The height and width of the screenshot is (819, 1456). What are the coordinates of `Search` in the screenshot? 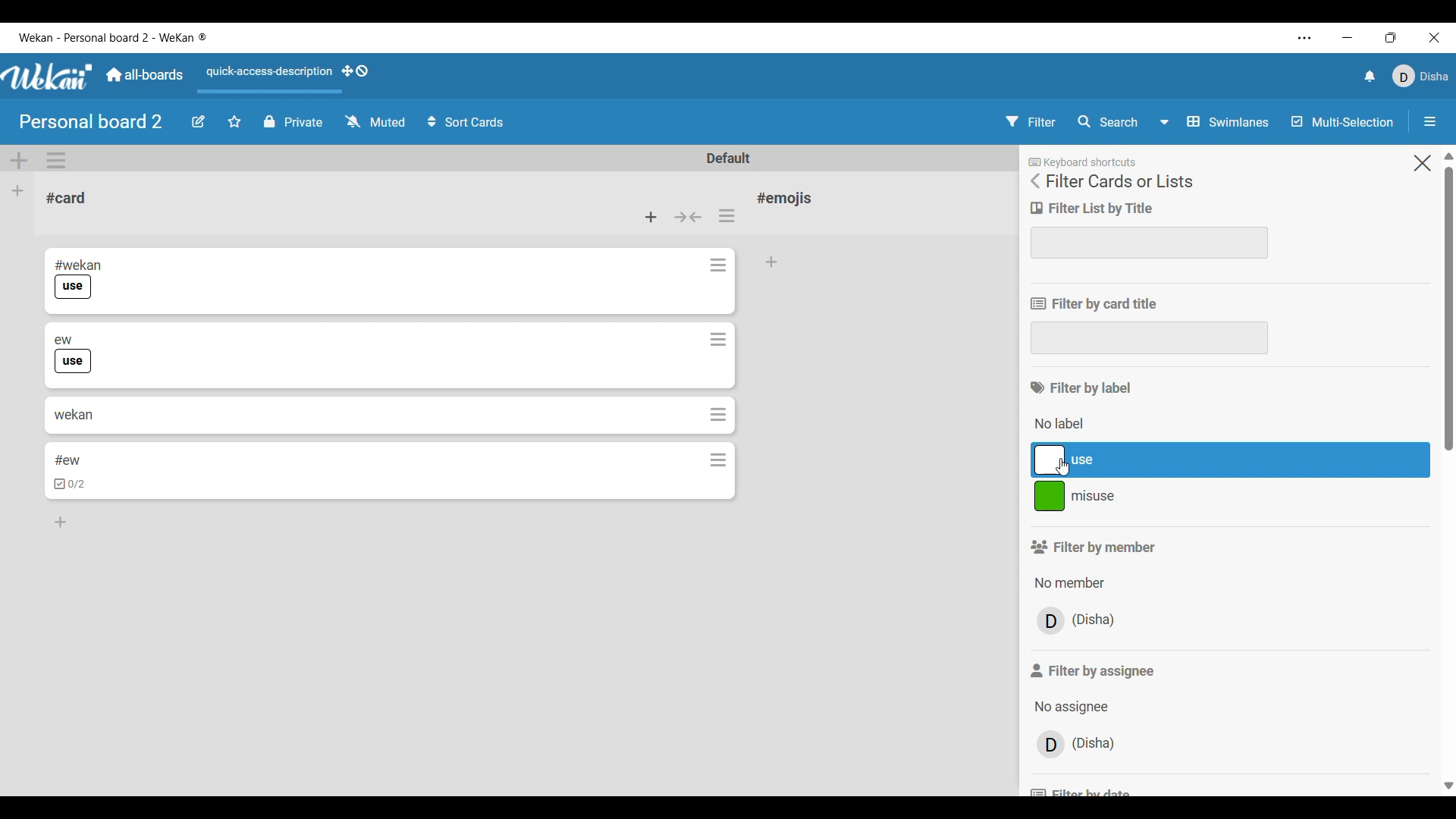 It's located at (1106, 121).